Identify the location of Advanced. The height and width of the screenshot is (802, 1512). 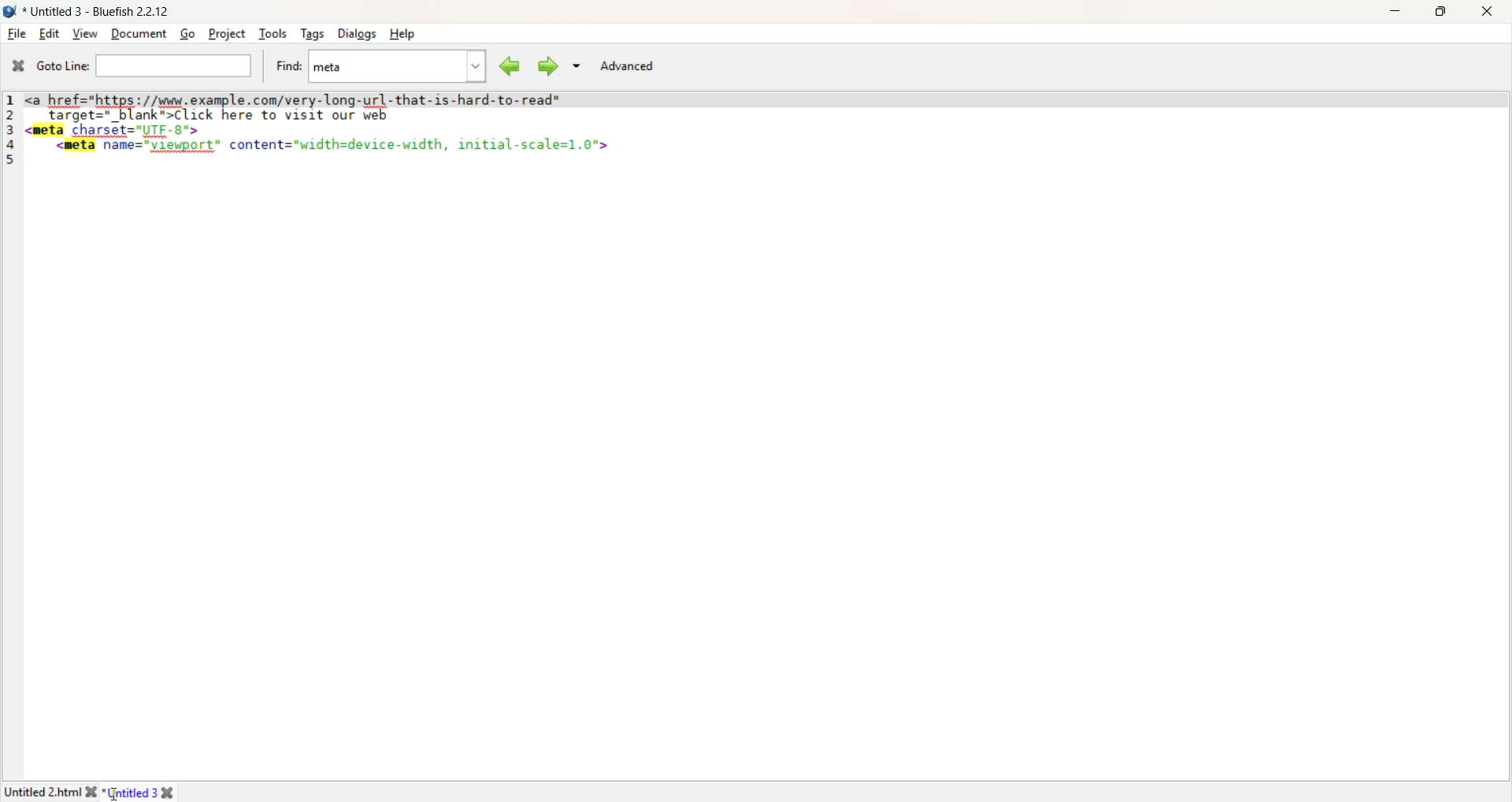
(627, 66).